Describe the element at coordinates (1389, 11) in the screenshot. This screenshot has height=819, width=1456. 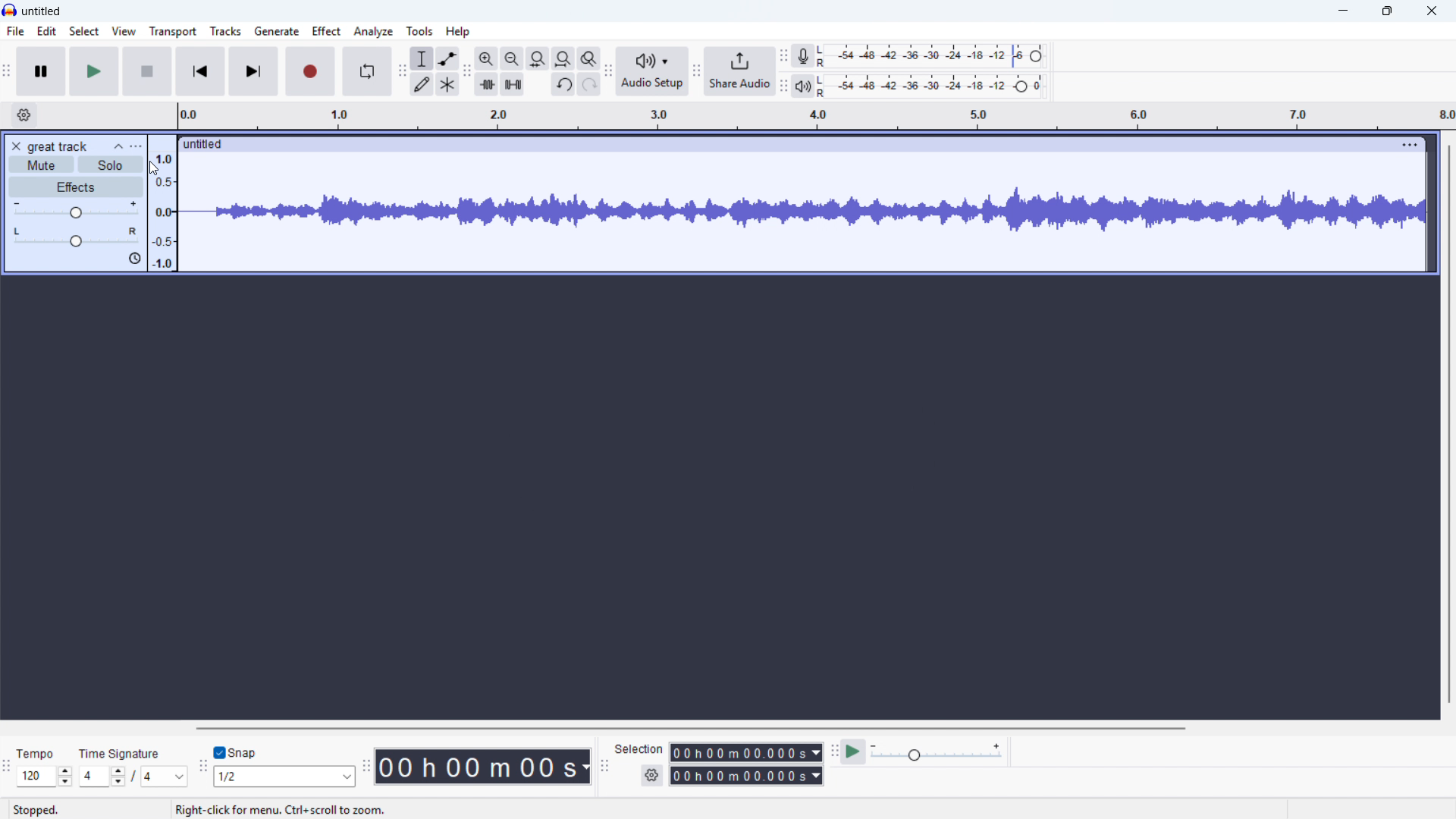
I see `maximise` at that location.